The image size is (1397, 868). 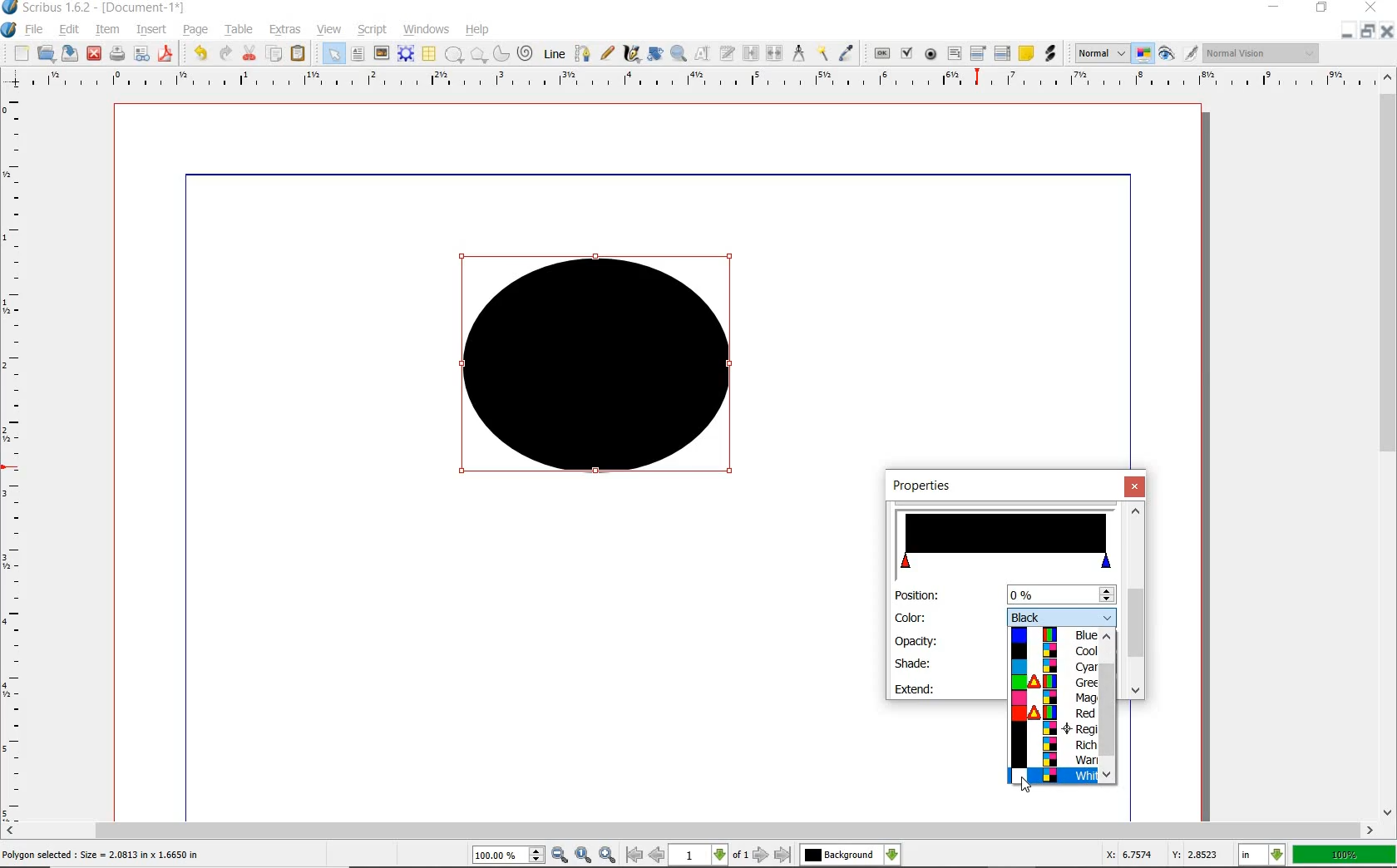 What do you see at coordinates (1387, 32) in the screenshot?
I see `CLOSE` at bounding box center [1387, 32].